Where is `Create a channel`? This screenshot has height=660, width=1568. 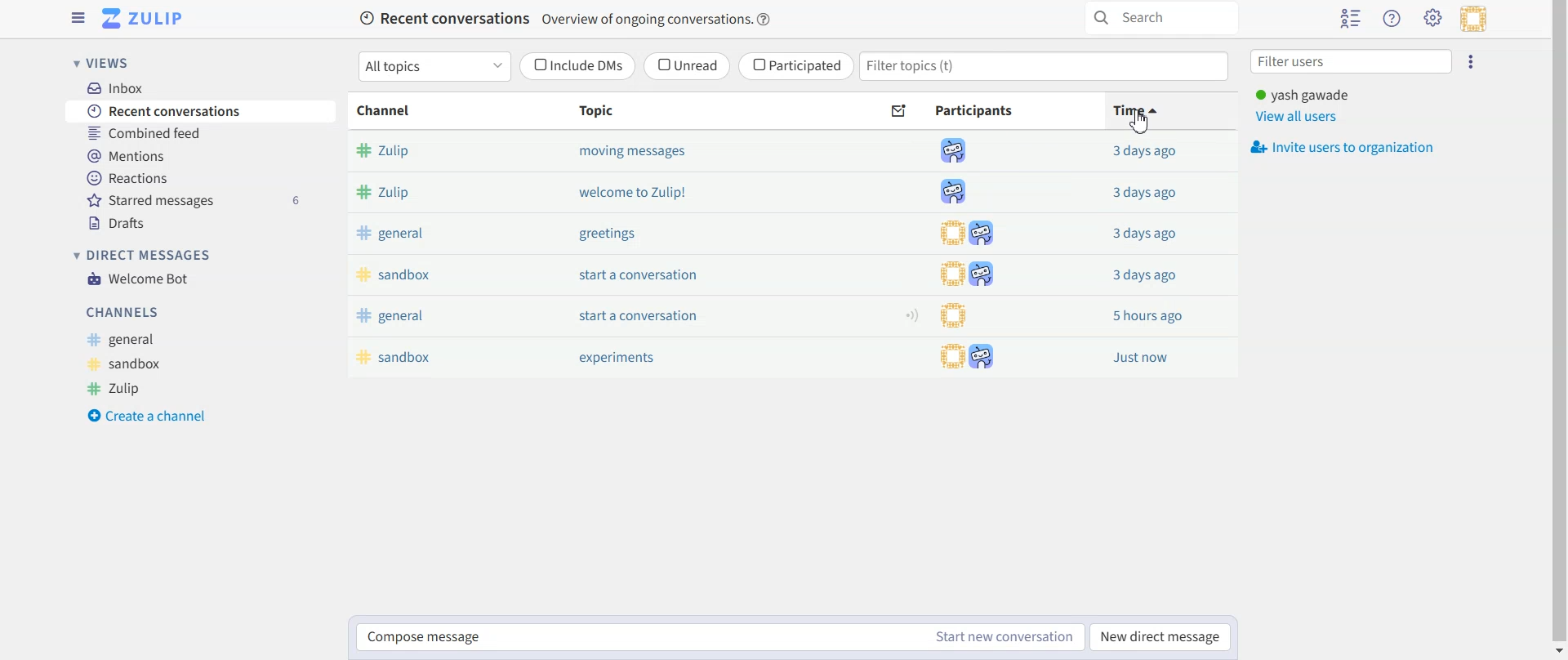
Create a channel is located at coordinates (147, 415).